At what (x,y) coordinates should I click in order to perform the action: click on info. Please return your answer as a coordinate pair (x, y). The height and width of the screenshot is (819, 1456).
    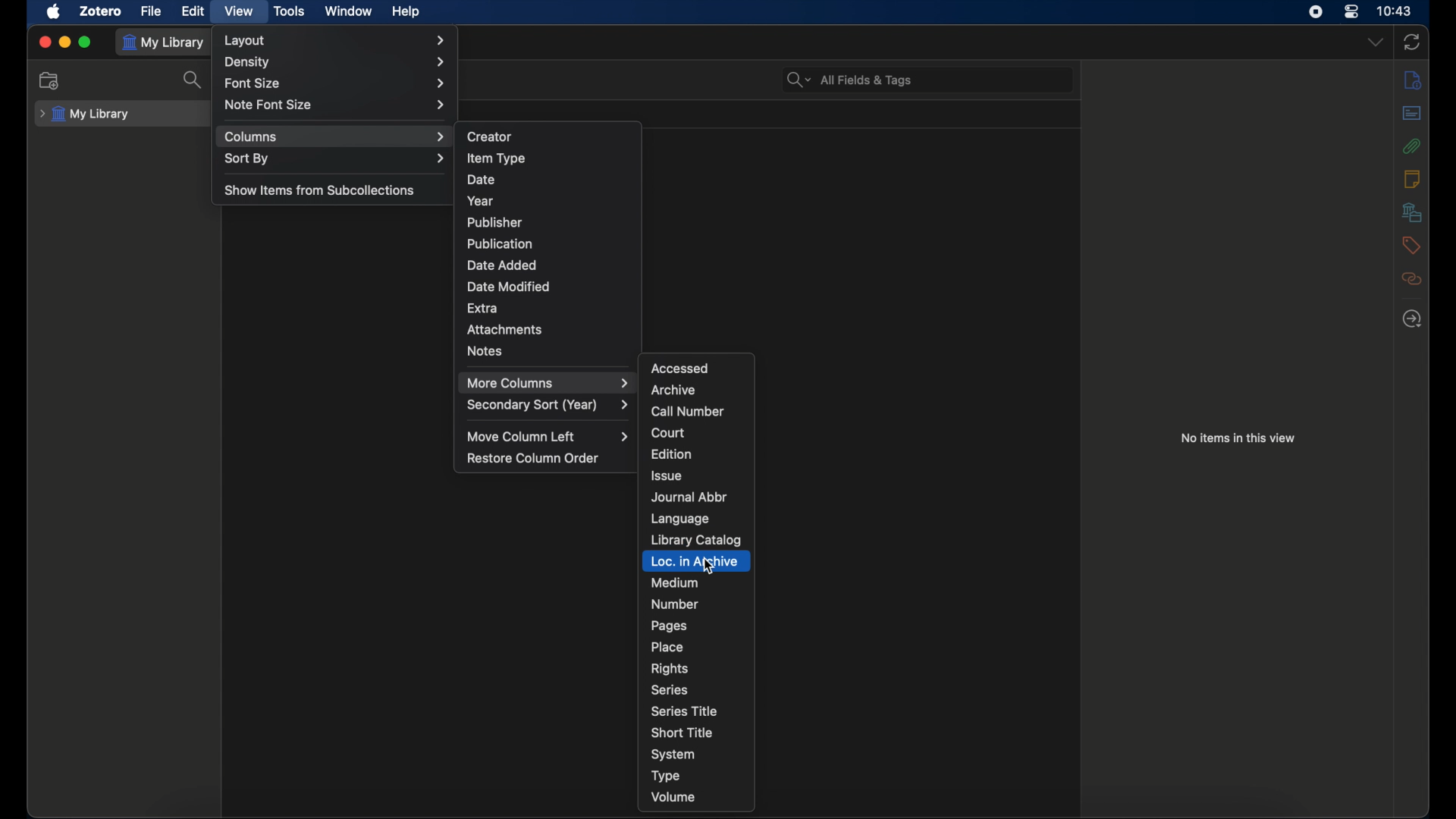
    Looking at the image, I should click on (1412, 80).